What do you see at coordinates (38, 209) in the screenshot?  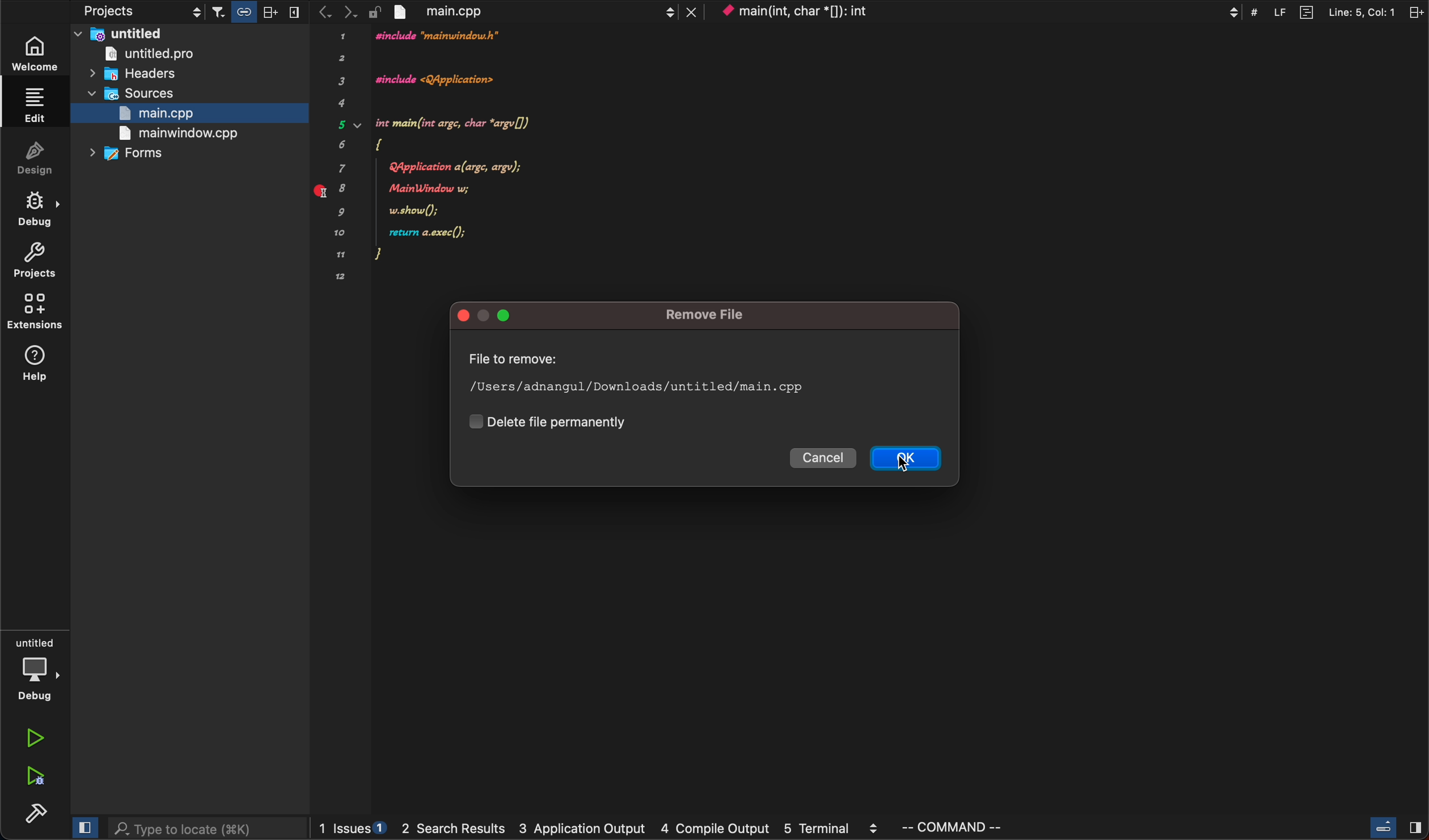 I see `debug` at bounding box center [38, 209].